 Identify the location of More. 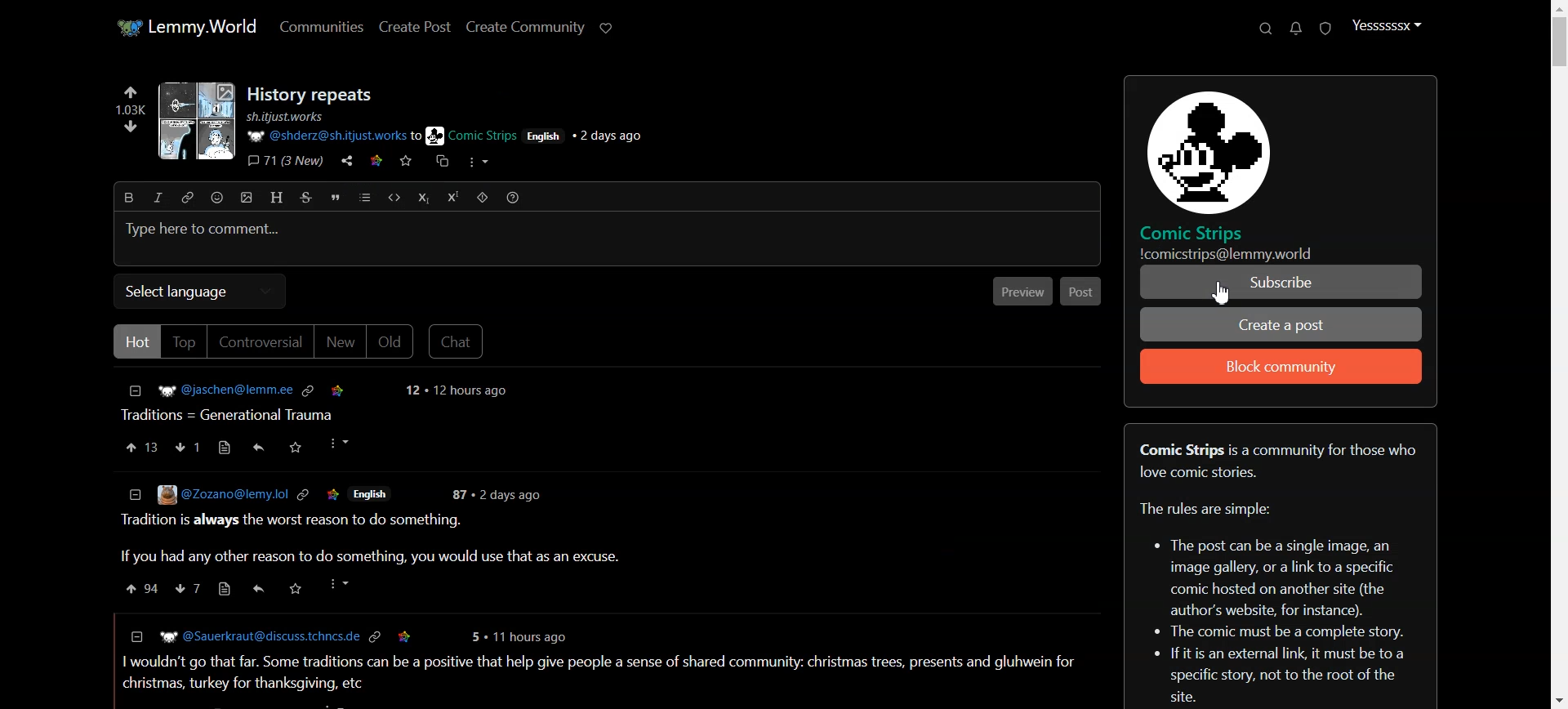
(478, 163).